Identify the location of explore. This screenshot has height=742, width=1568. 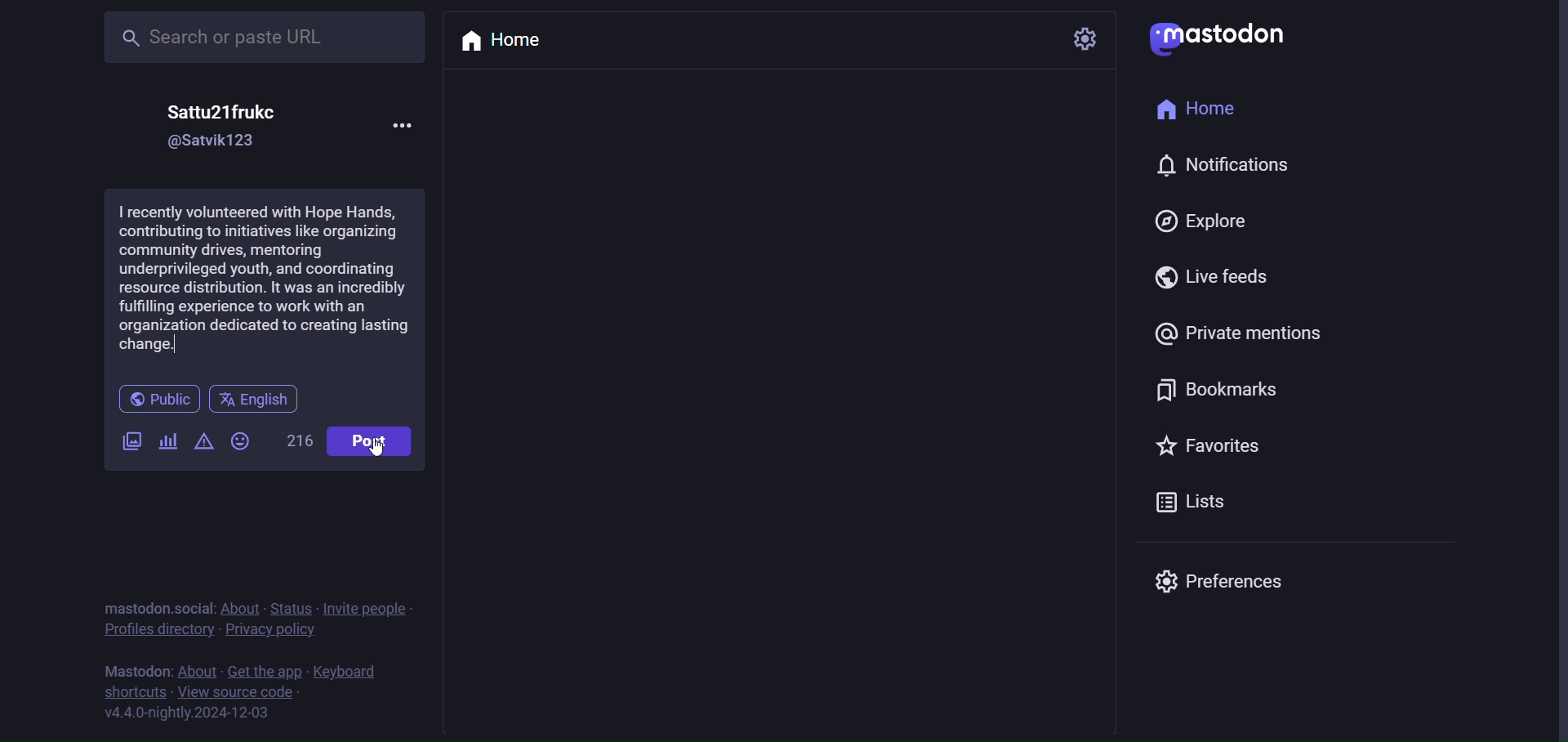
(1203, 223).